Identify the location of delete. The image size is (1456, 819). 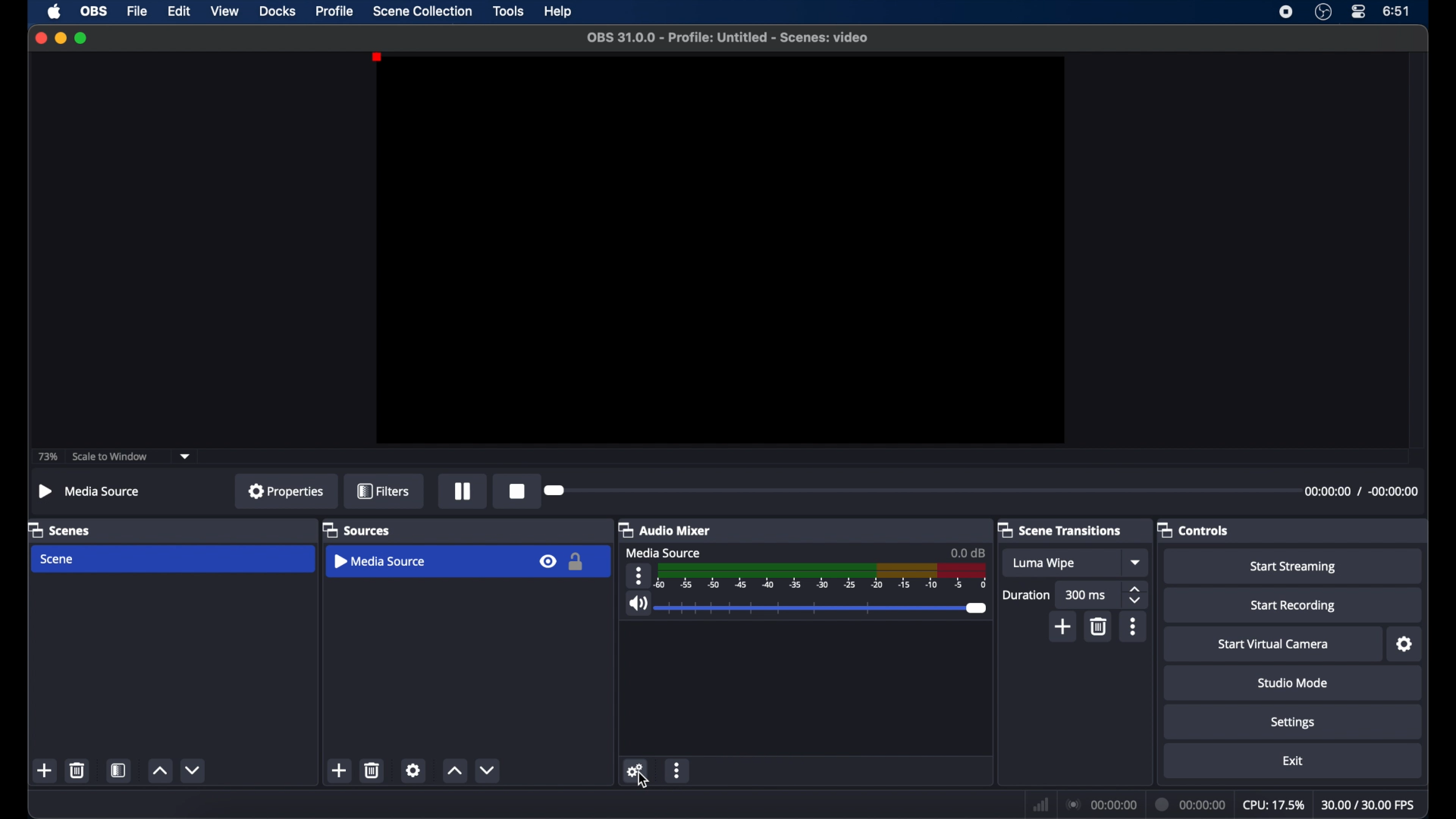
(1100, 627).